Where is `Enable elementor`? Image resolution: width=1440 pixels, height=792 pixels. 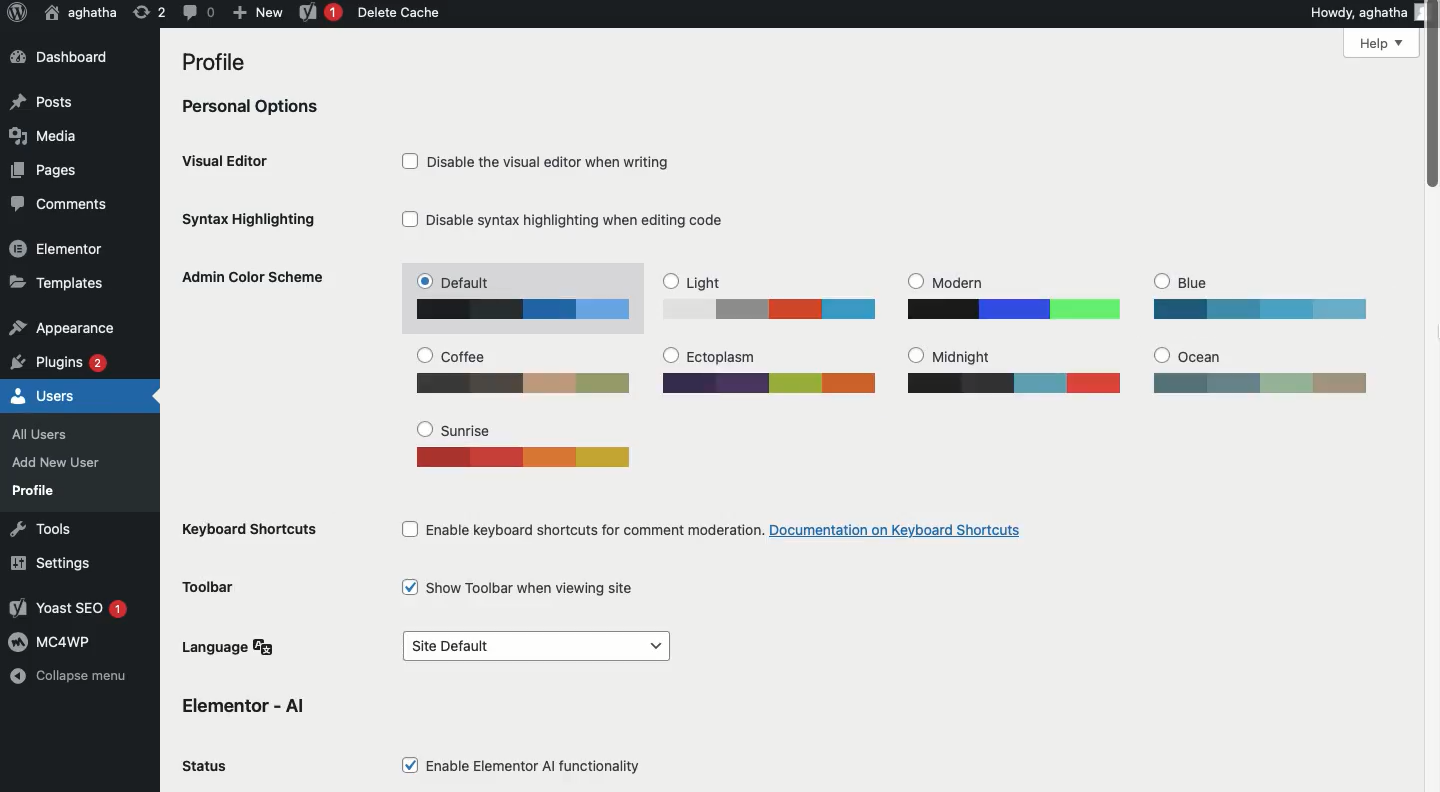 Enable elementor is located at coordinates (521, 762).